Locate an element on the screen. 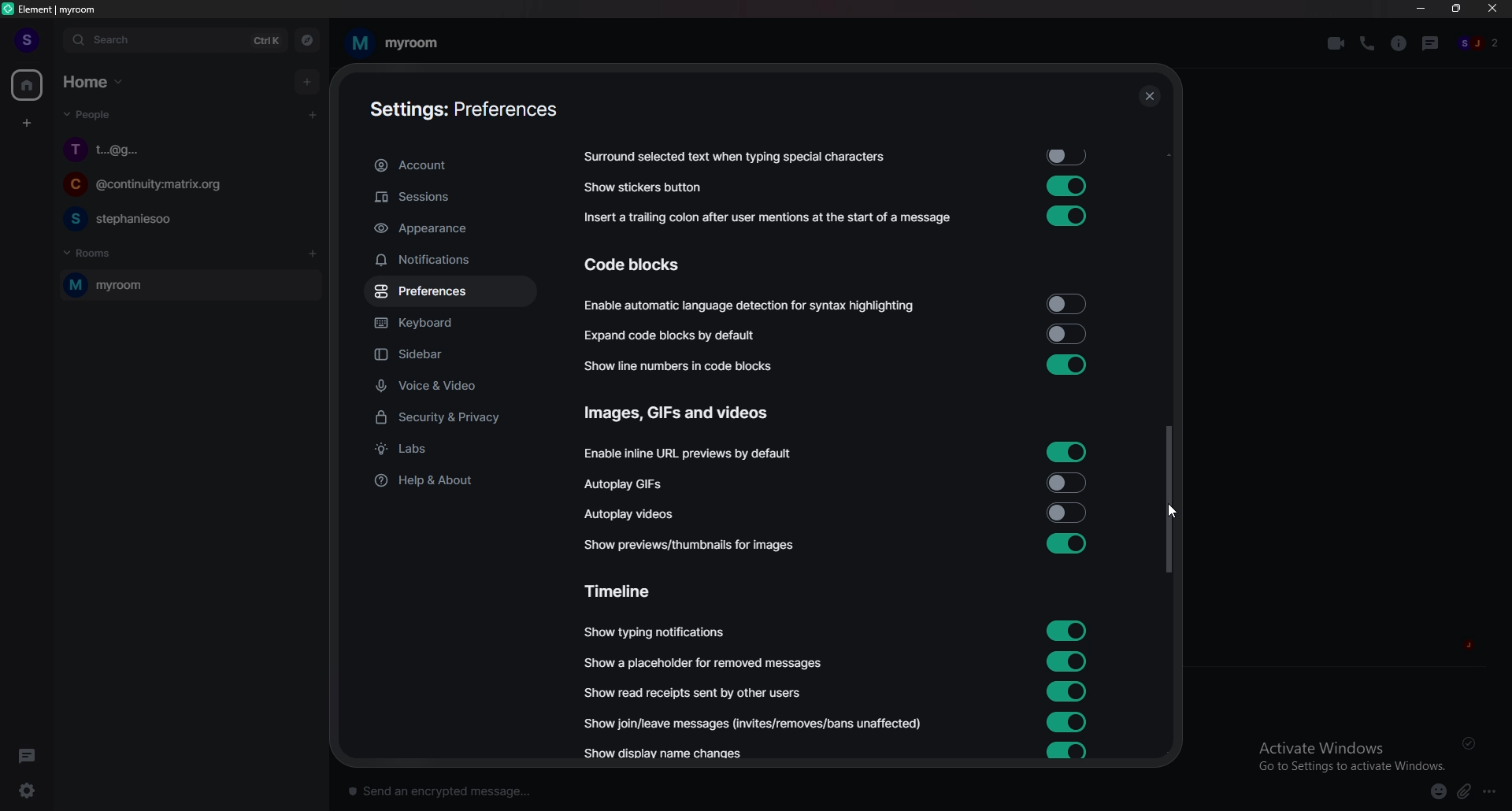 This screenshot has height=811, width=1512. show line number in code blocks is located at coordinates (687, 365).